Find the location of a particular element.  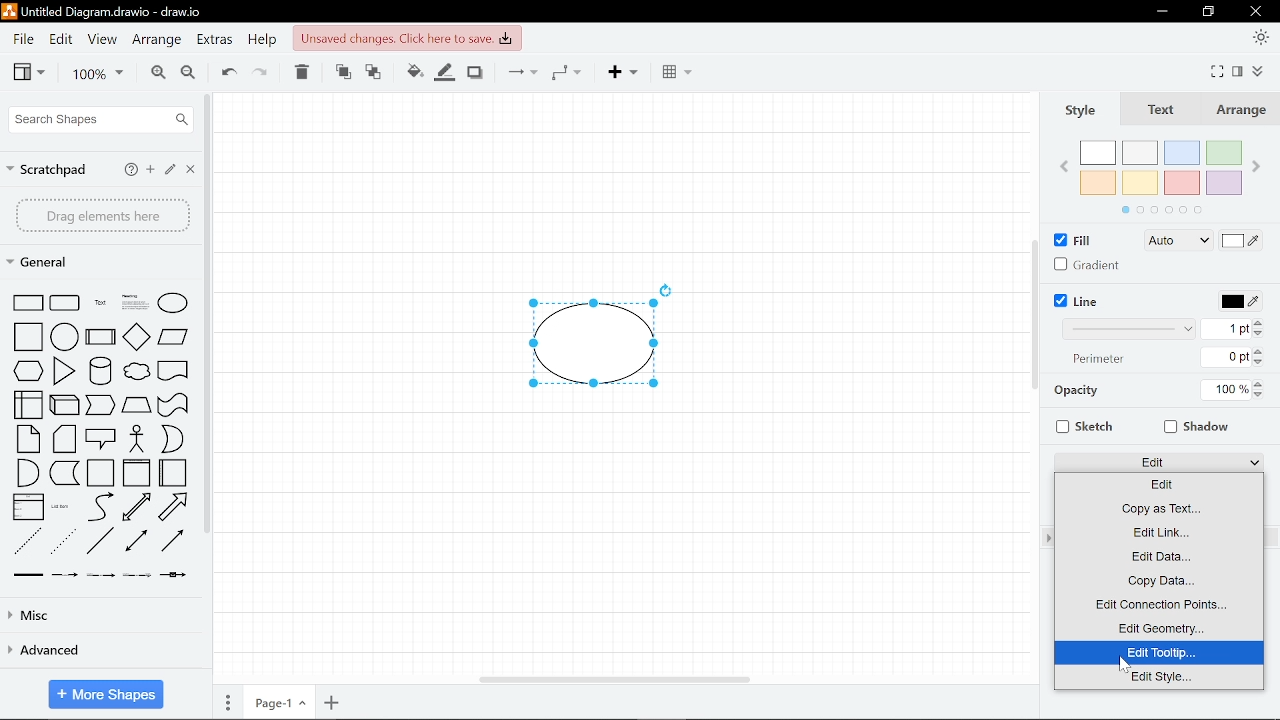

Opacity is located at coordinates (1114, 392).